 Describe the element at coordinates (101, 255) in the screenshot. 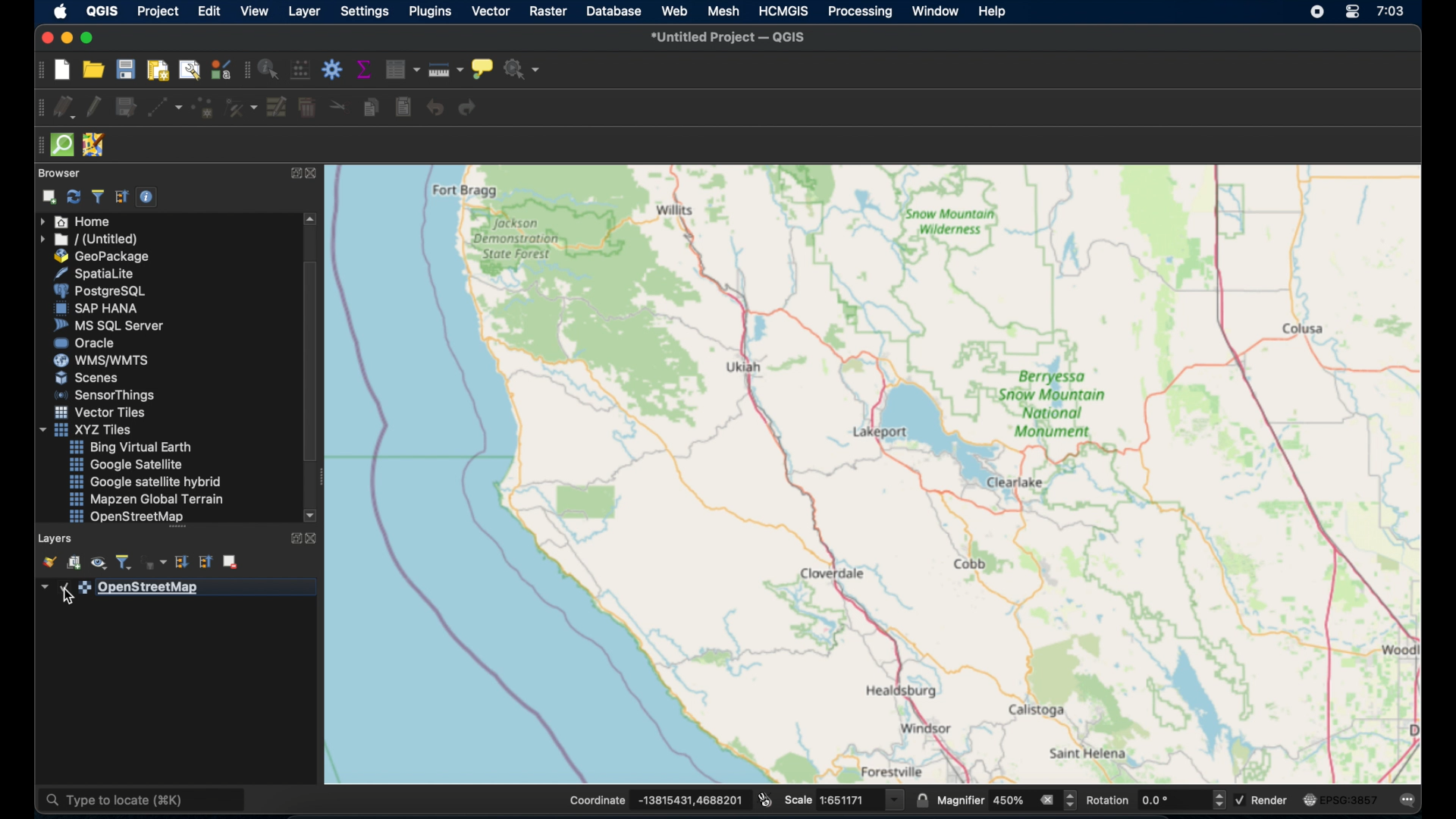

I see `geopackage` at that location.